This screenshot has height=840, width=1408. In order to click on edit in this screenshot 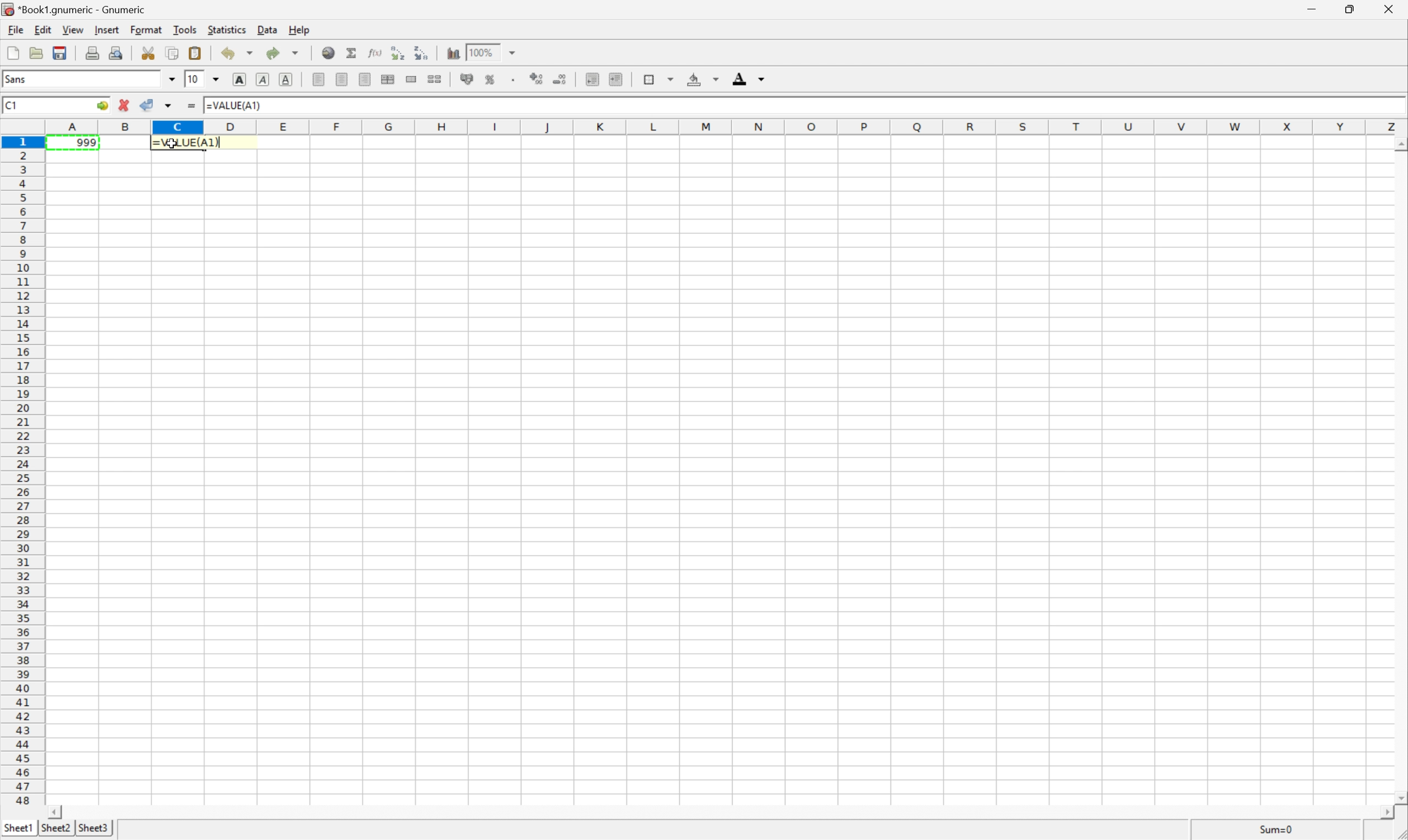, I will do `click(44, 30)`.